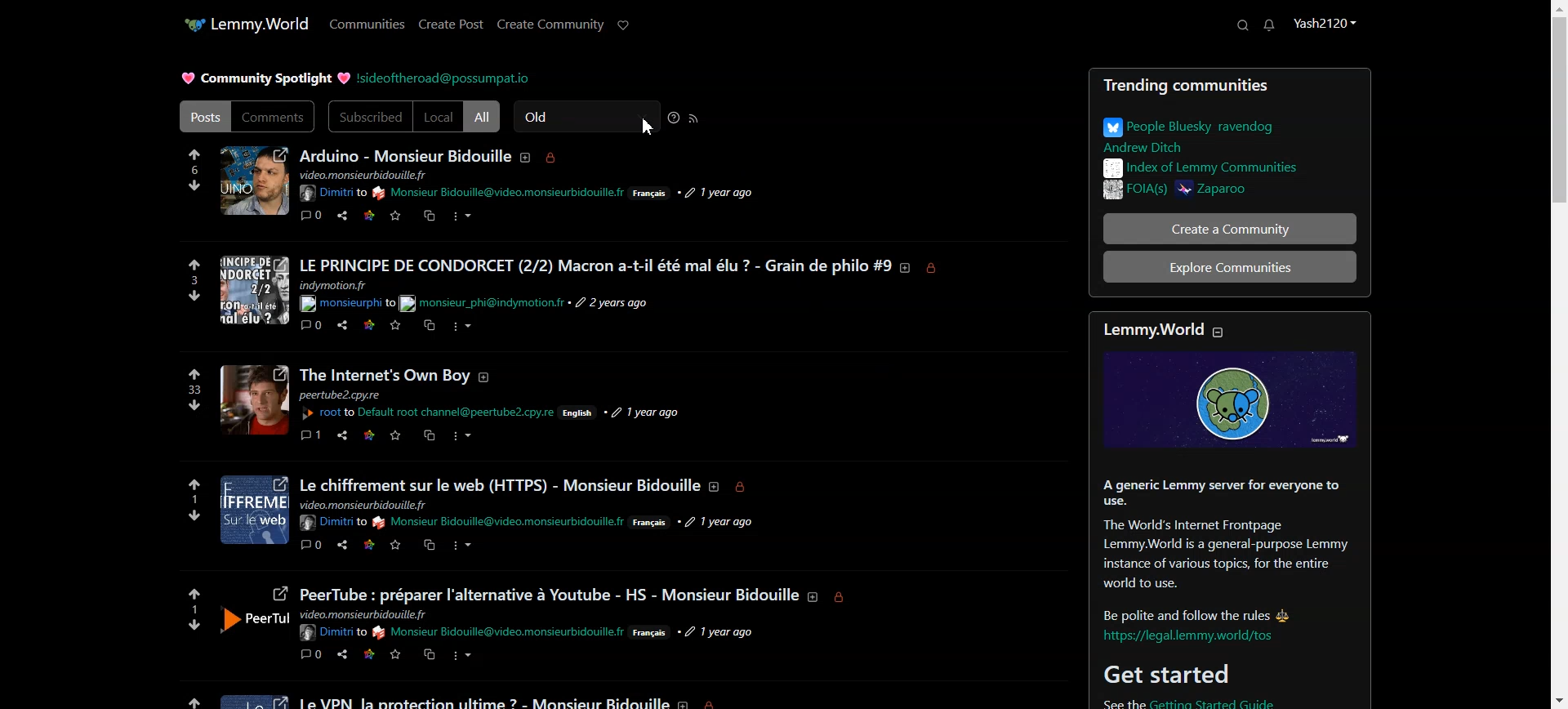  Describe the element at coordinates (483, 116) in the screenshot. I see `All` at that location.